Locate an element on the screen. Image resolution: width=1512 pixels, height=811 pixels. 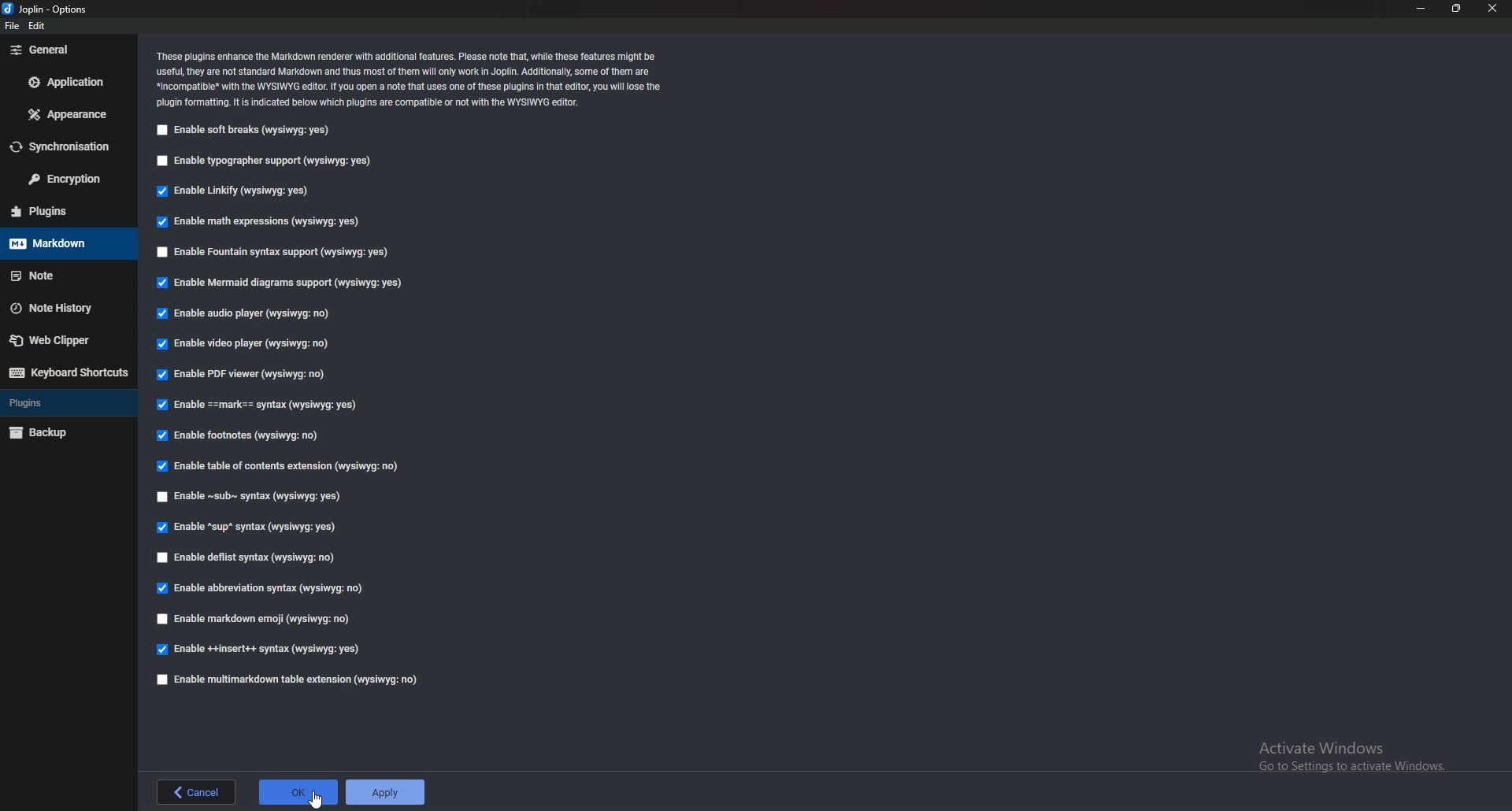
plugins is located at coordinates (66, 402).